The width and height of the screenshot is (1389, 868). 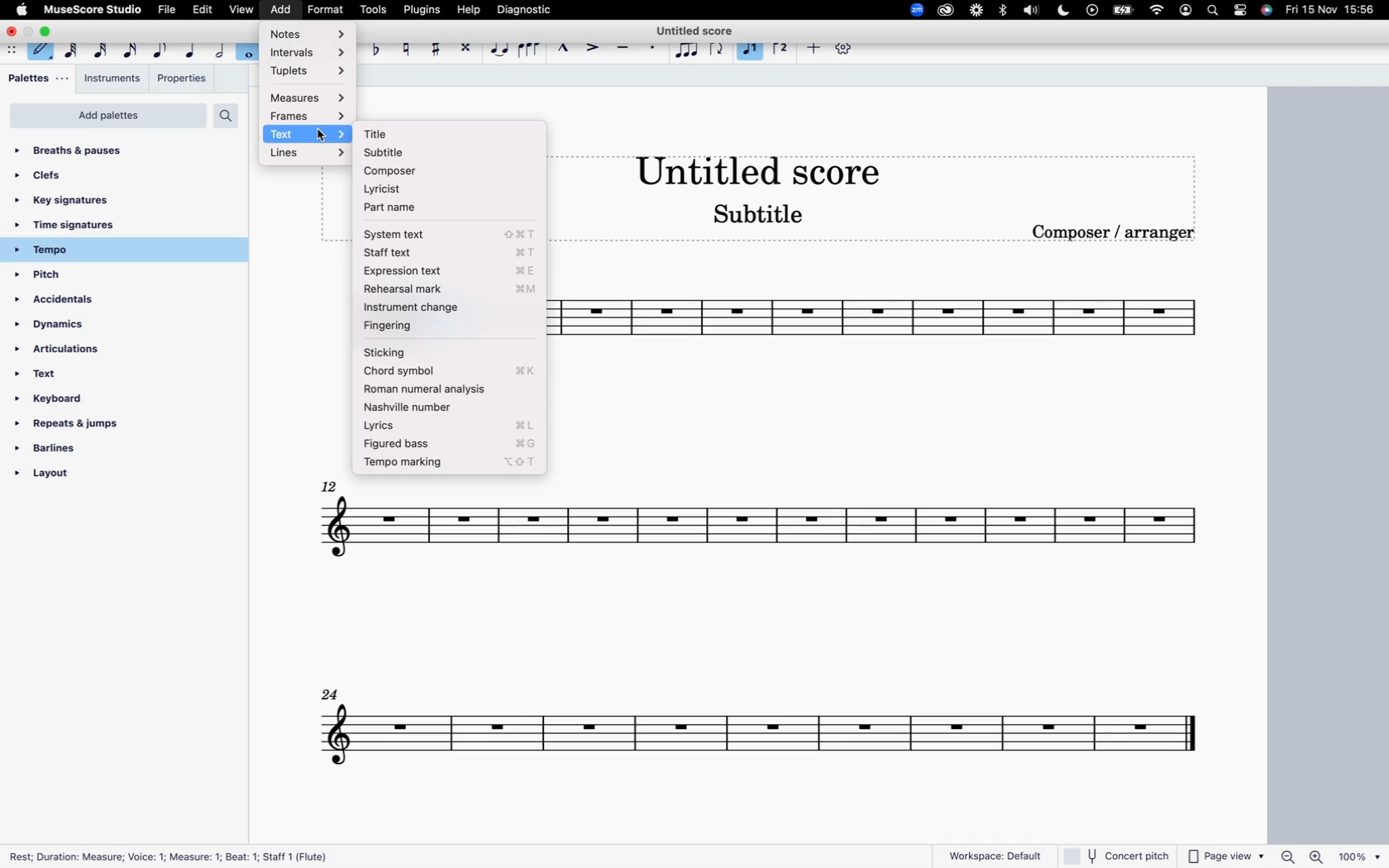 I want to click on workspace, so click(x=987, y=851).